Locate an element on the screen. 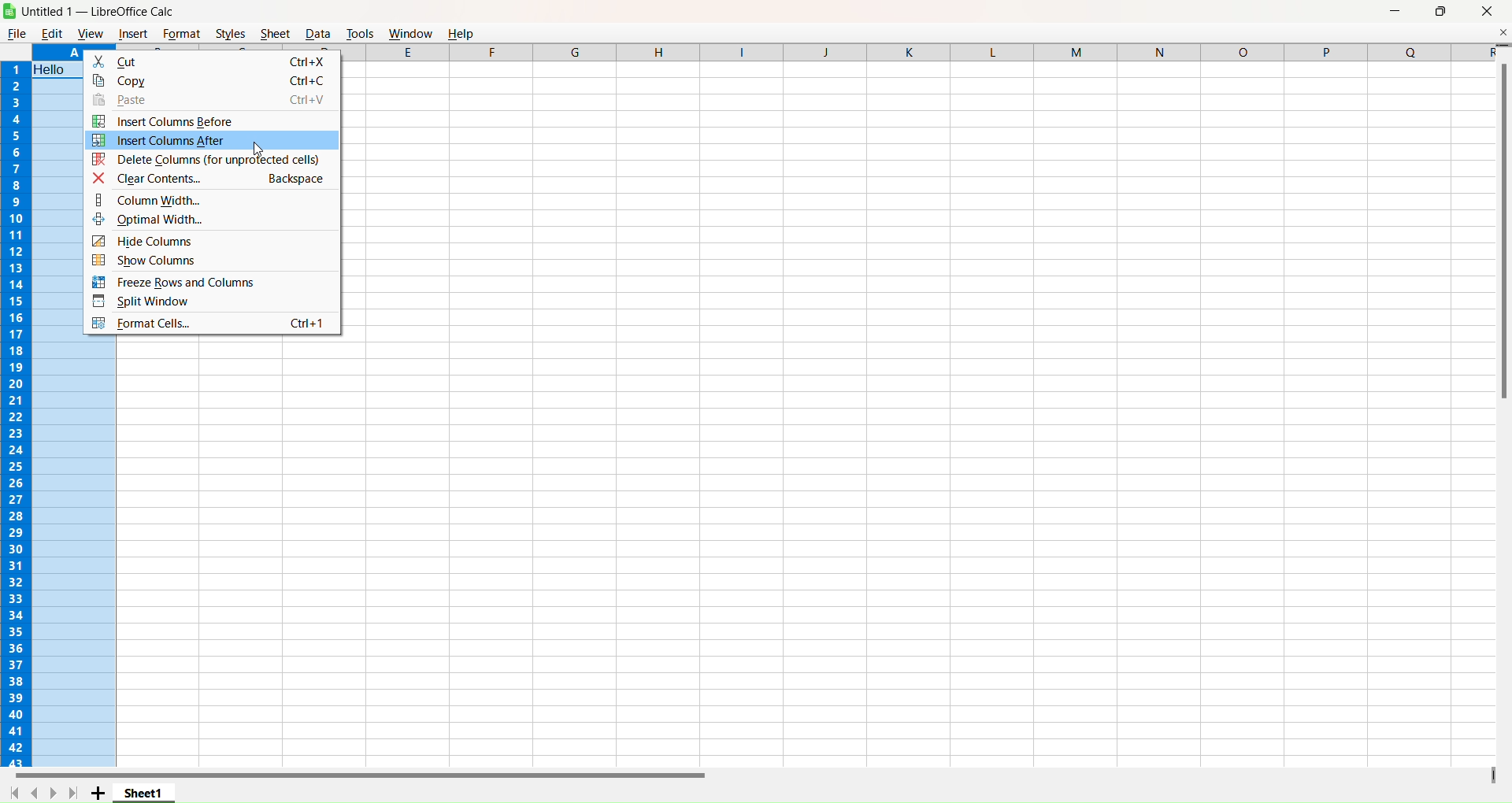  Format Cells is located at coordinates (214, 326).